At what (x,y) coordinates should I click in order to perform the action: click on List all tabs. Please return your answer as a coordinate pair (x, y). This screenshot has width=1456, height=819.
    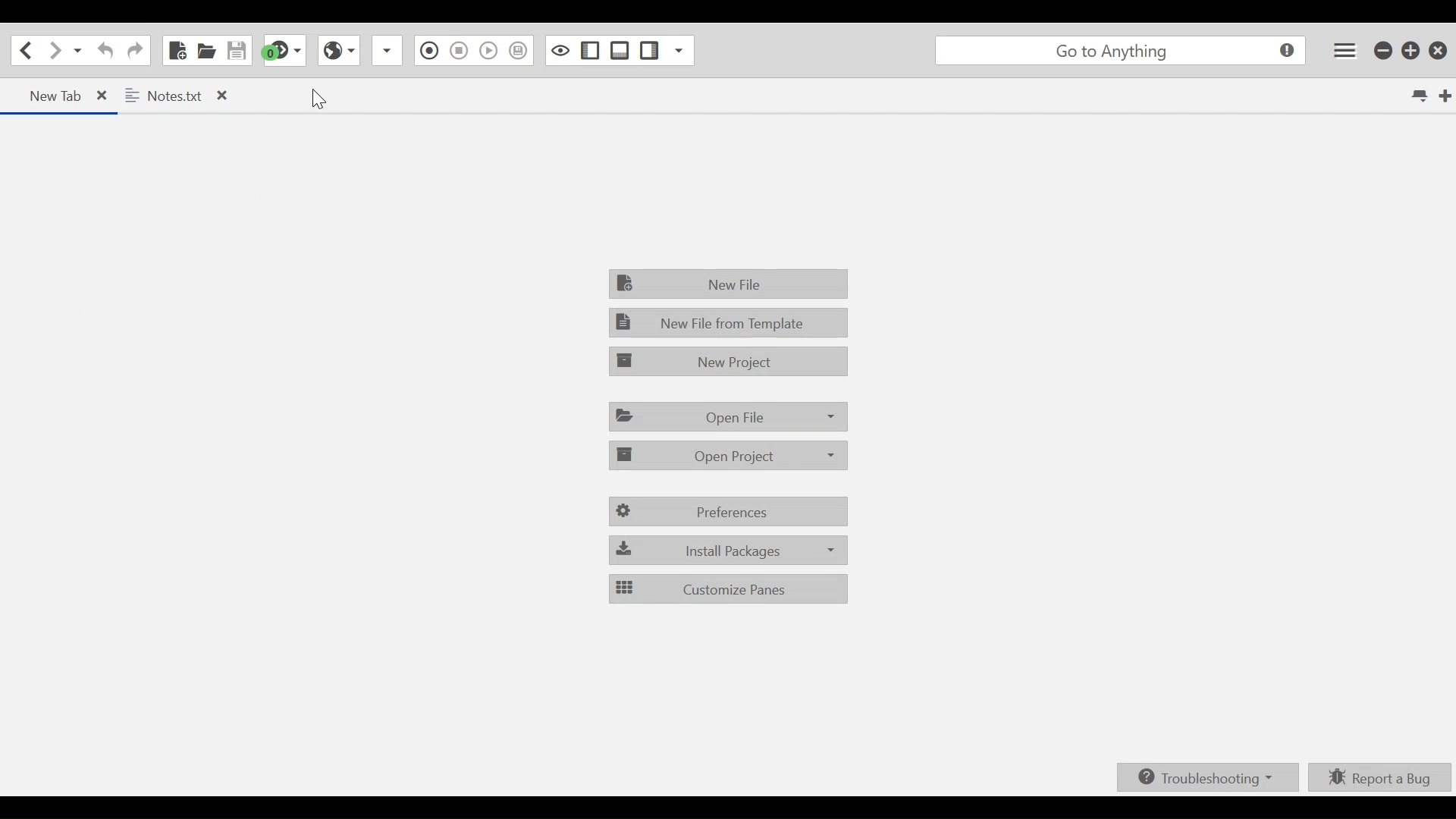
    Looking at the image, I should click on (1419, 93).